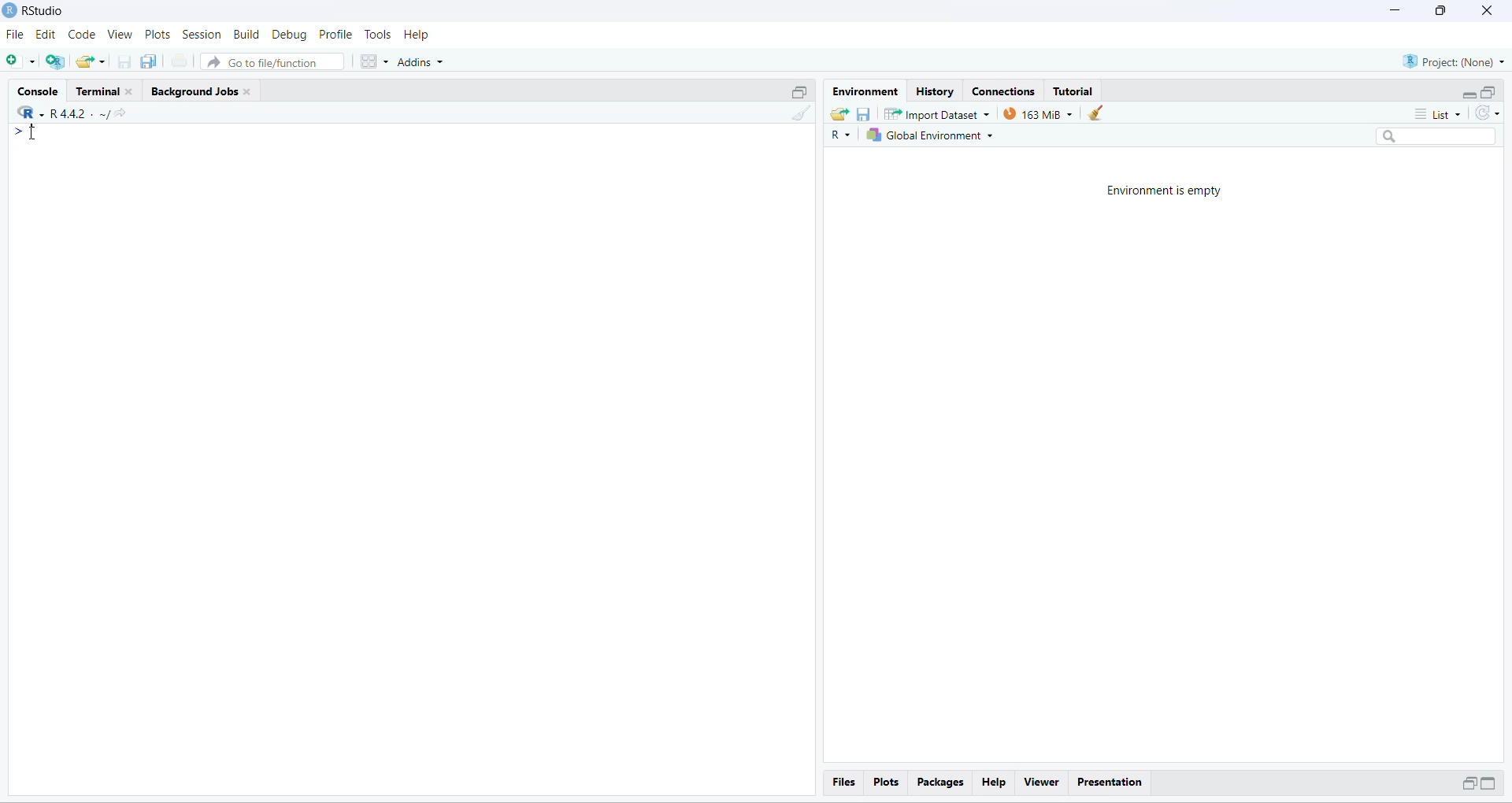  What do you see at coordinates (1485, 10) in the screenshot?
I see `close` at bounding box center [1485, 10].